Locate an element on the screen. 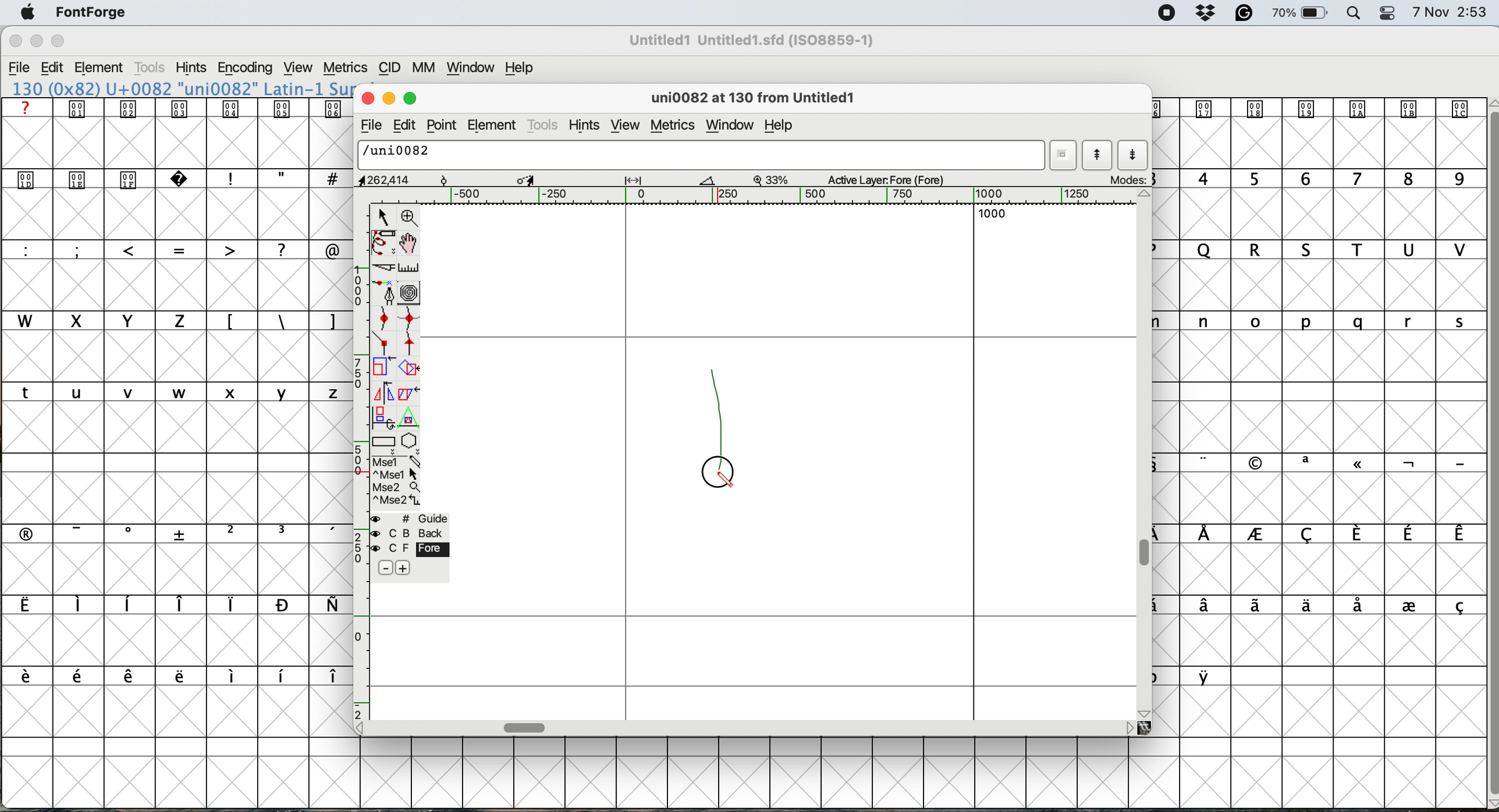 The width and height of the screenshot is (1499, 812). special characters is located at coordinates (1191, 676).